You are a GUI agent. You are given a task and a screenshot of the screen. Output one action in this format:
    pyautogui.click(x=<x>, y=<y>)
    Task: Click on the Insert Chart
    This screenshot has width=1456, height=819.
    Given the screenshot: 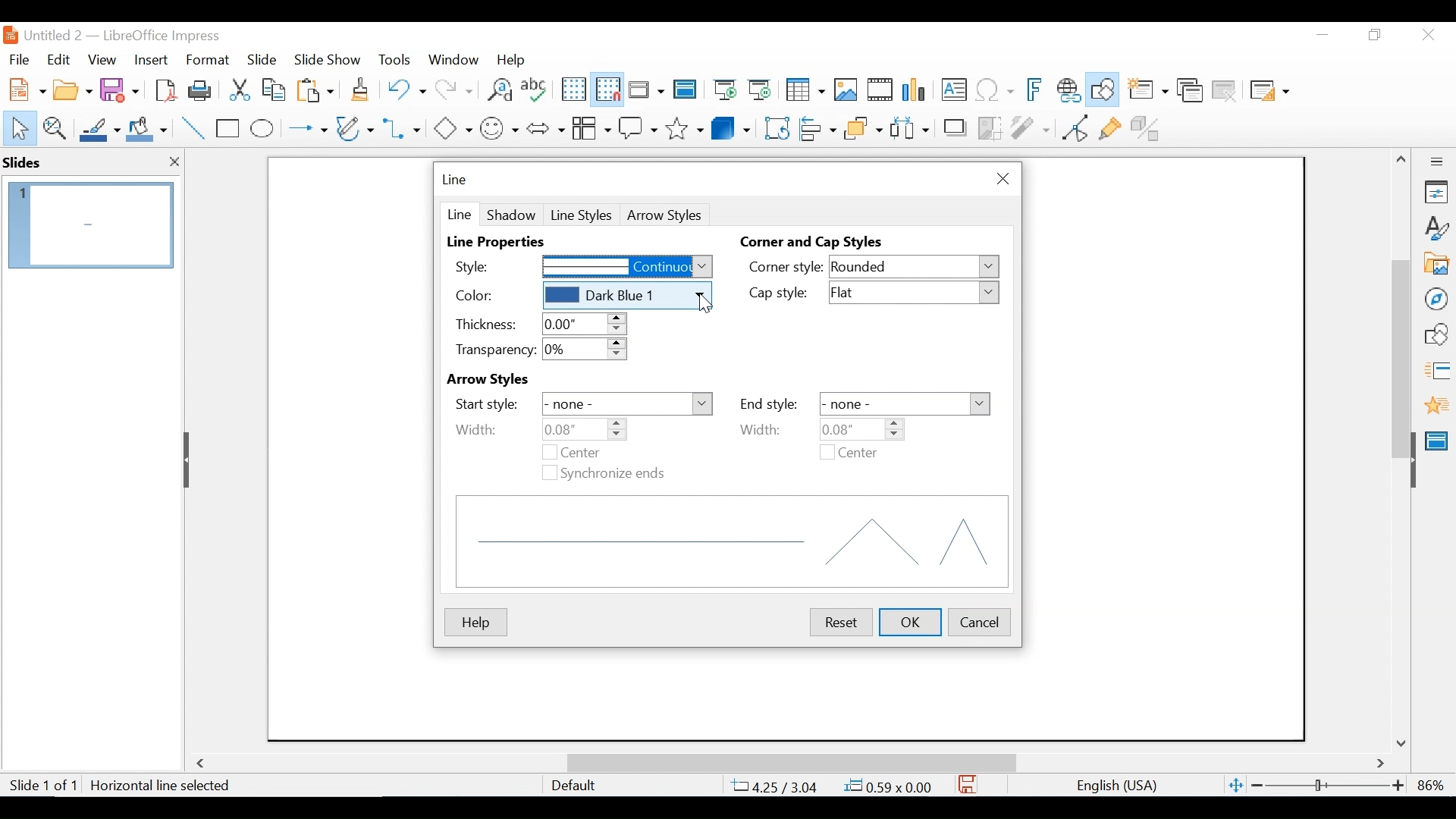 What is the action you would take?
    pyautogui.click(x=916, y=91)
    